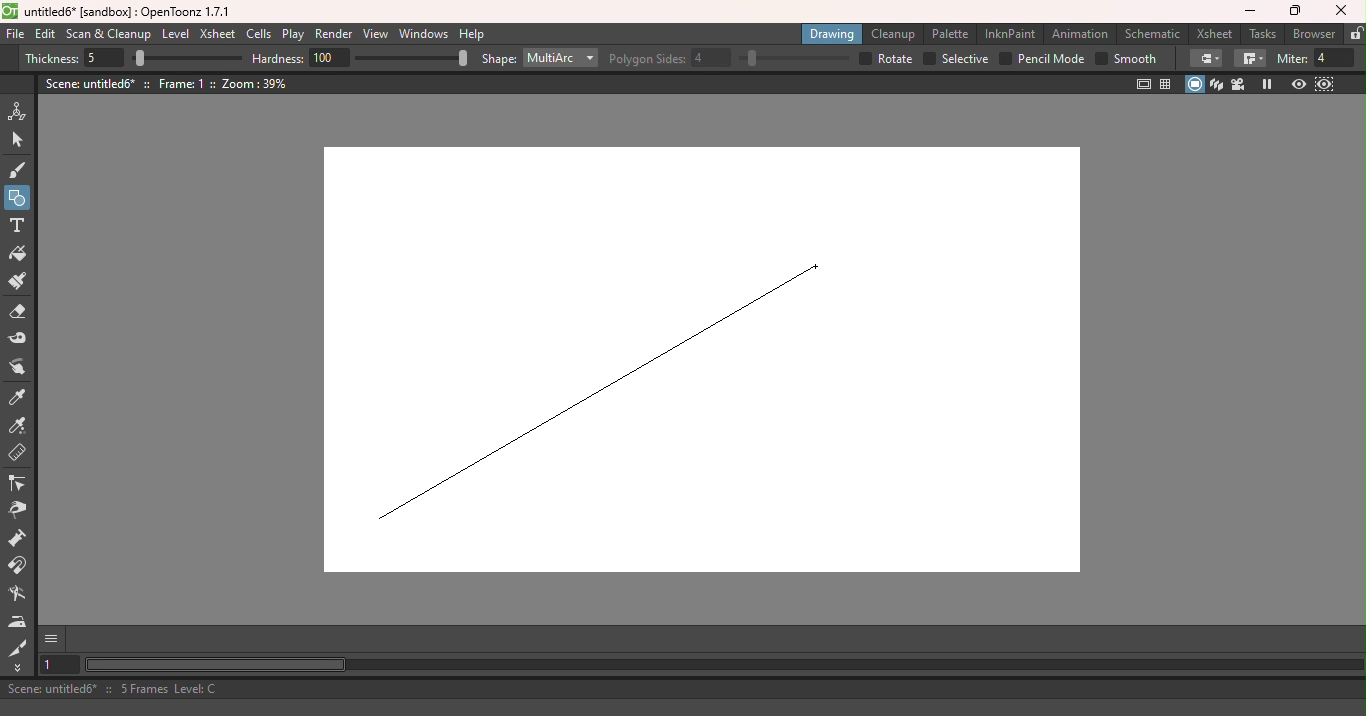 This screenshot has width=1366, height=716. I want to click on RGB picker tool, so click(19, 426).